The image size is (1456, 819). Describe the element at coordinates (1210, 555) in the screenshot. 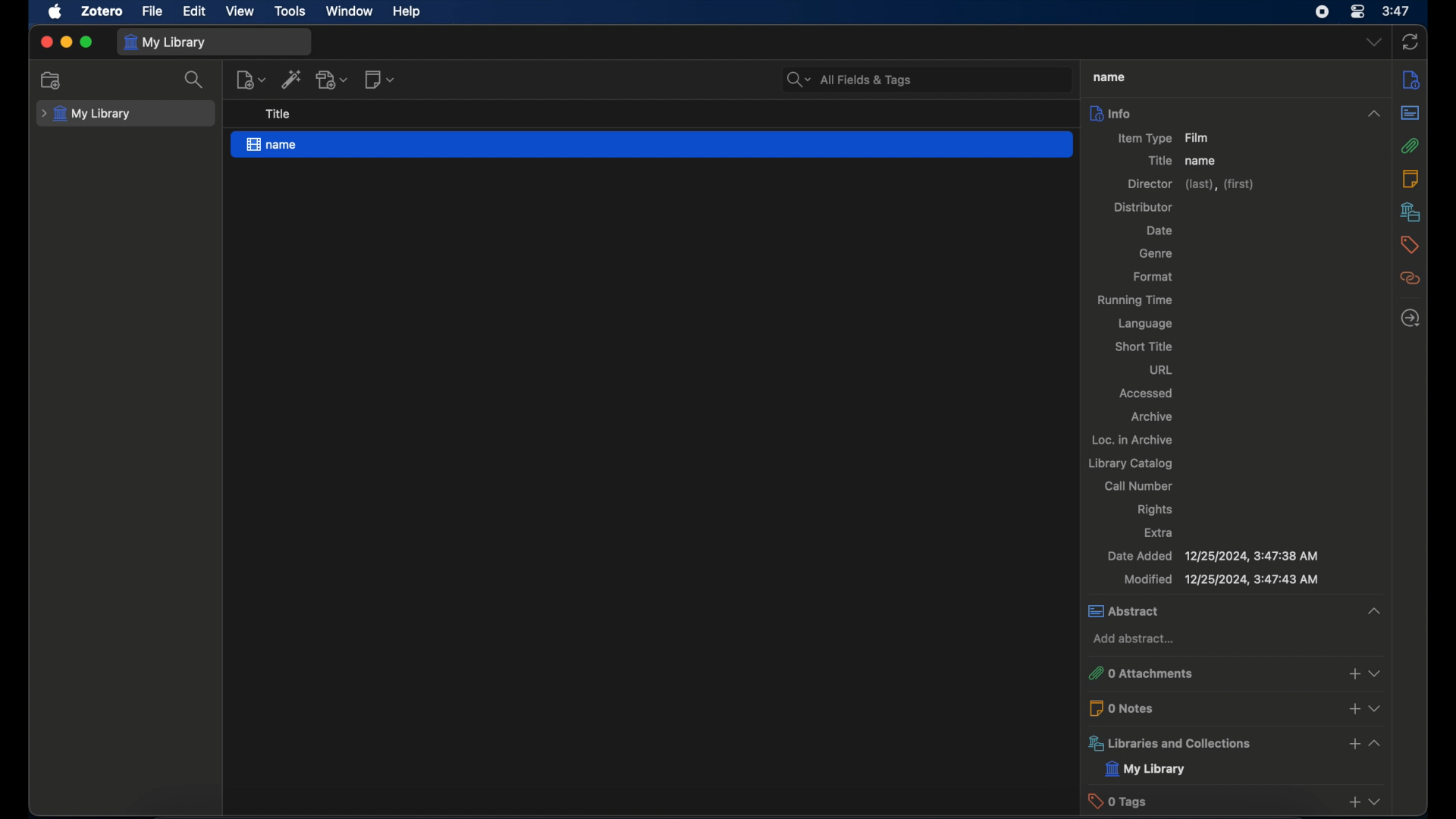

I see `date added` at that location.